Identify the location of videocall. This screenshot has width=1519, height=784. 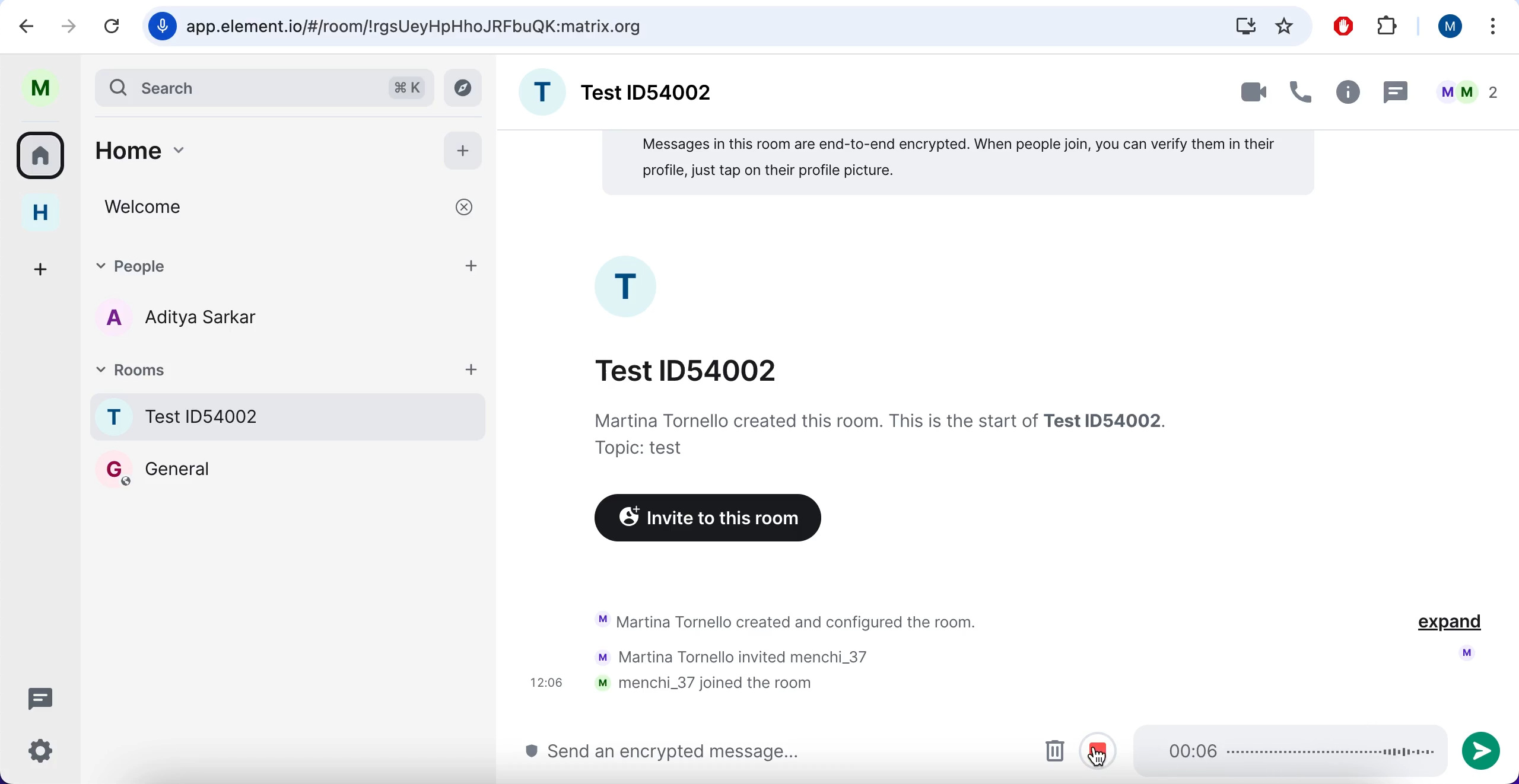
(1251, 94).